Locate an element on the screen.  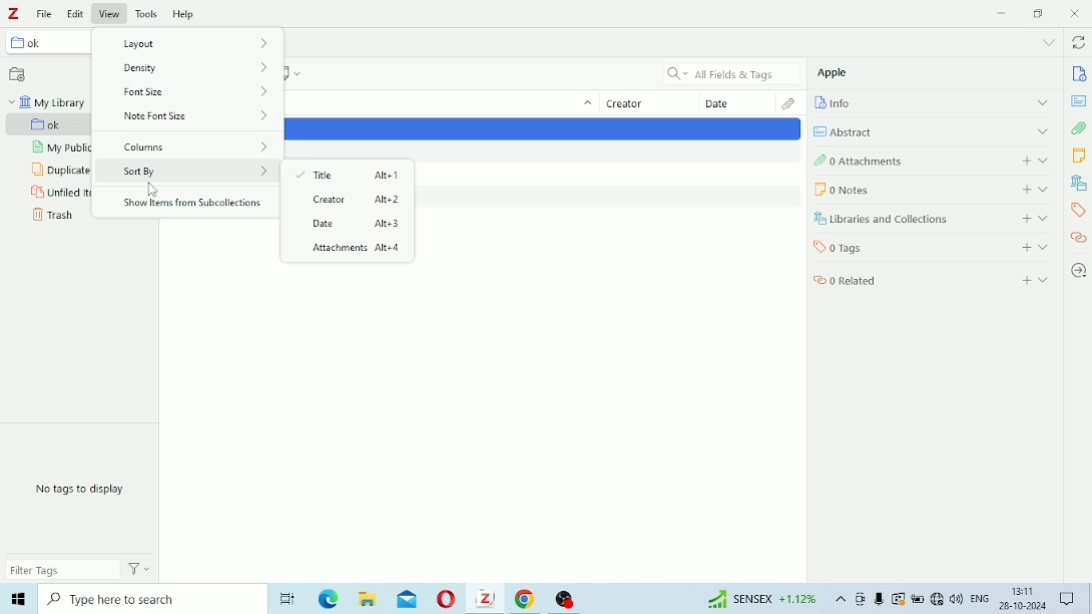
Date Alt + 3 is located at coordinates (350, 225).